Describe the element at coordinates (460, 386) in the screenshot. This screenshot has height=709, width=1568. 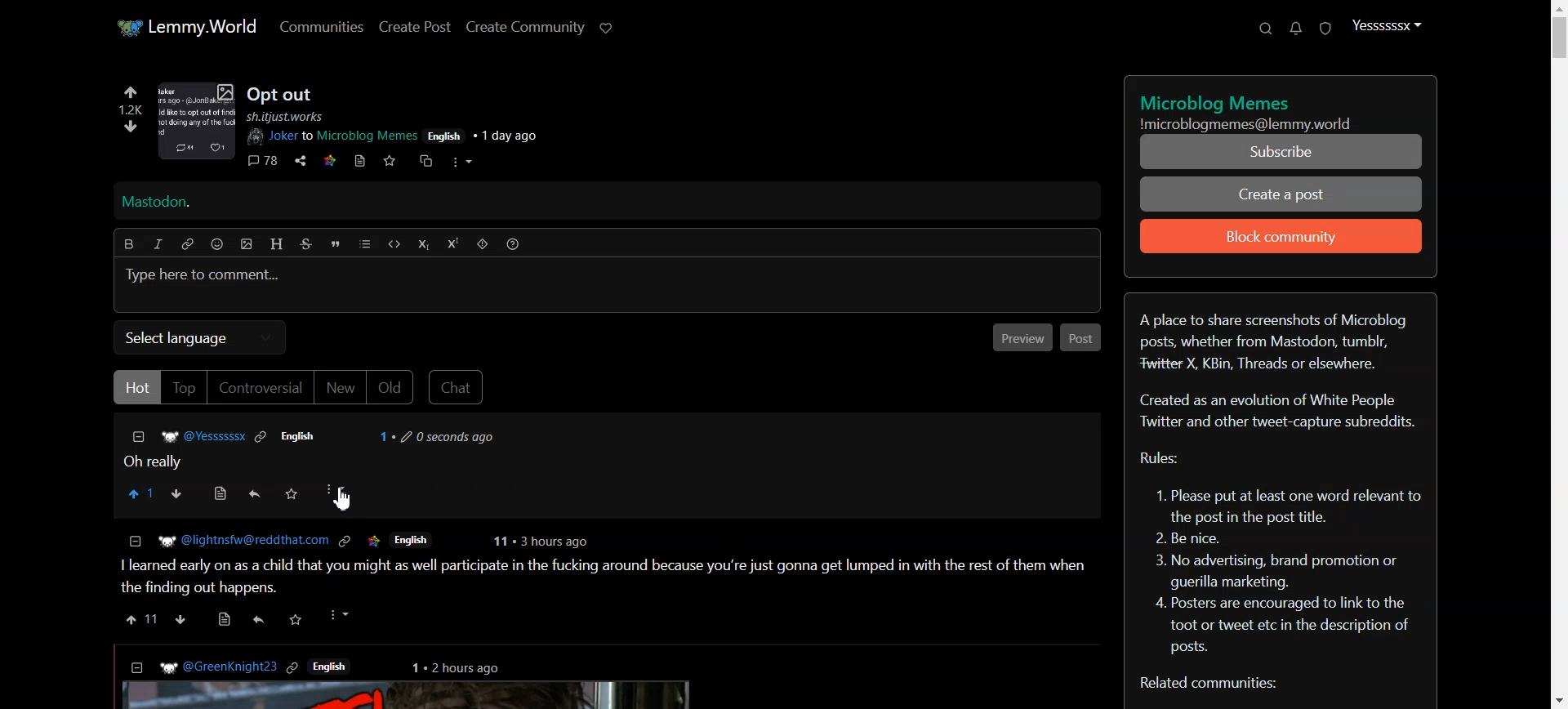
I see `Chat` at that location.